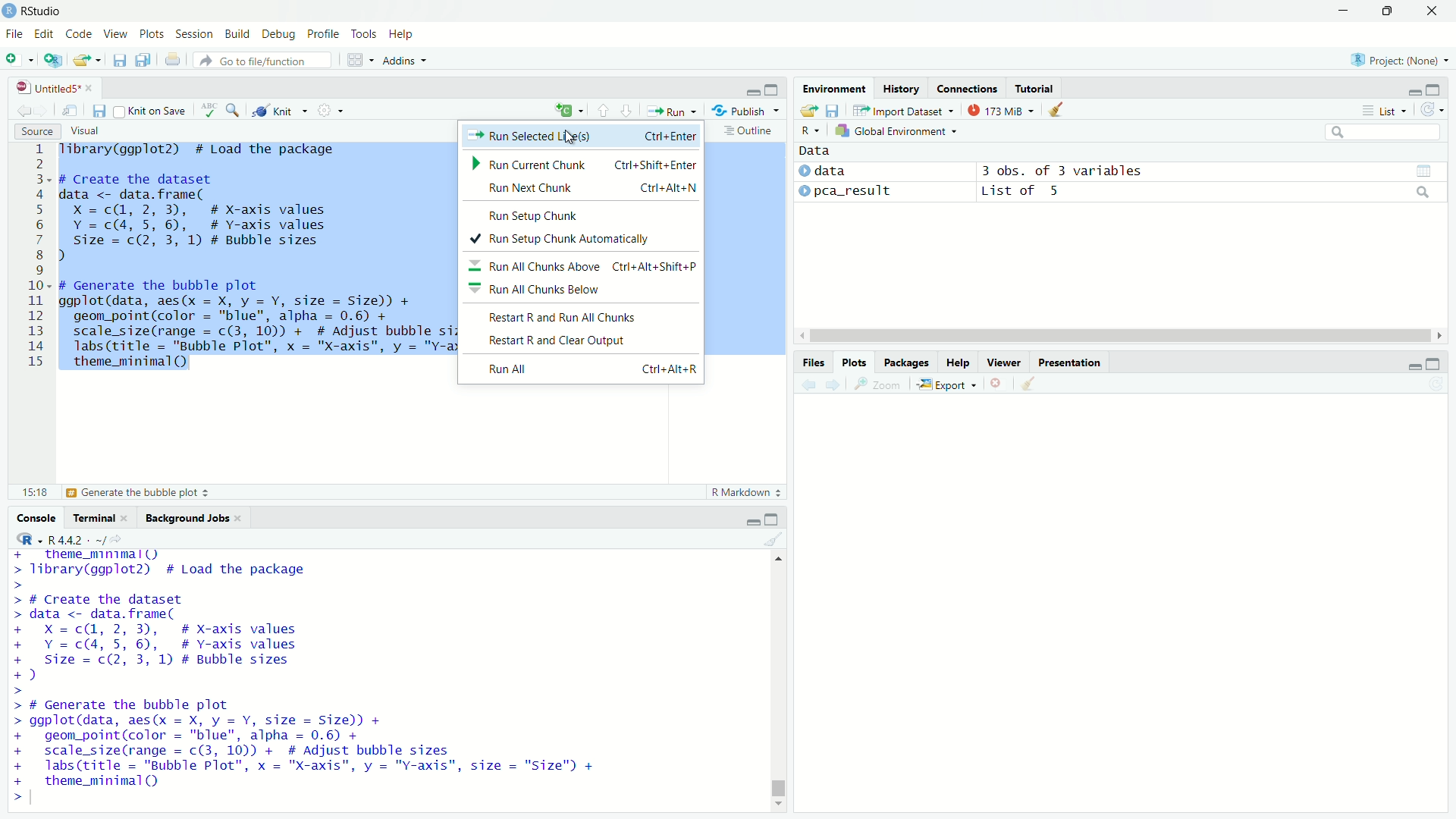 This screenshot has height=819, width=1456. What do you see at coordinates (807, 384) in the screenshot?
I see `previous plot` at bounding box center [807, 384].